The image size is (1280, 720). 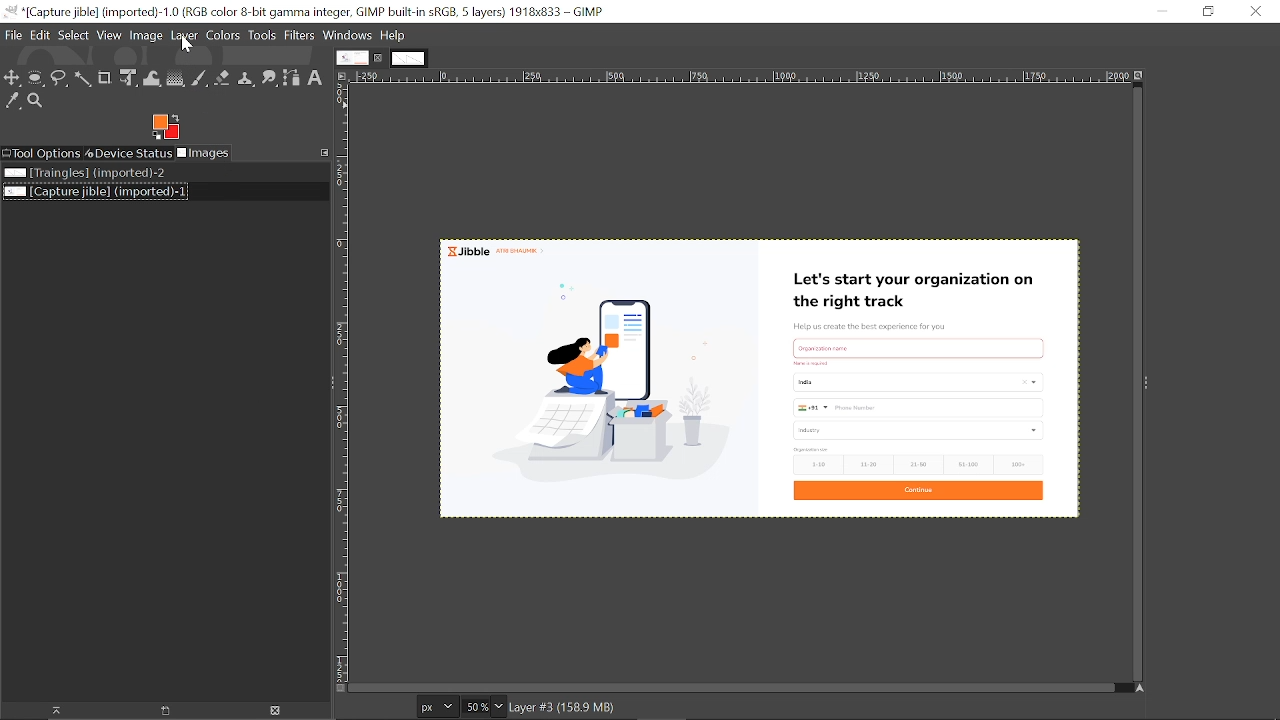 I want to click on Gradient tool, so click(x=175, y=78).